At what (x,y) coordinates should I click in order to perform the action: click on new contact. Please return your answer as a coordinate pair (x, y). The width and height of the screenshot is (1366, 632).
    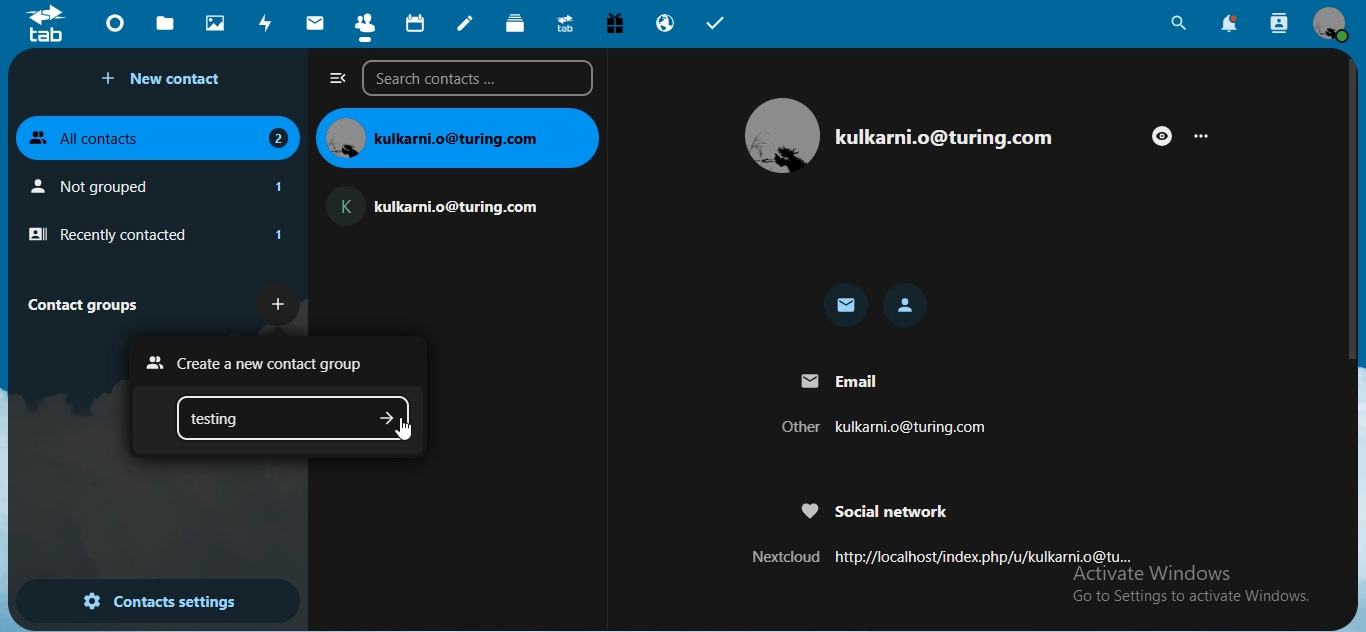
    Looking at the image, I should click on (166, 79).